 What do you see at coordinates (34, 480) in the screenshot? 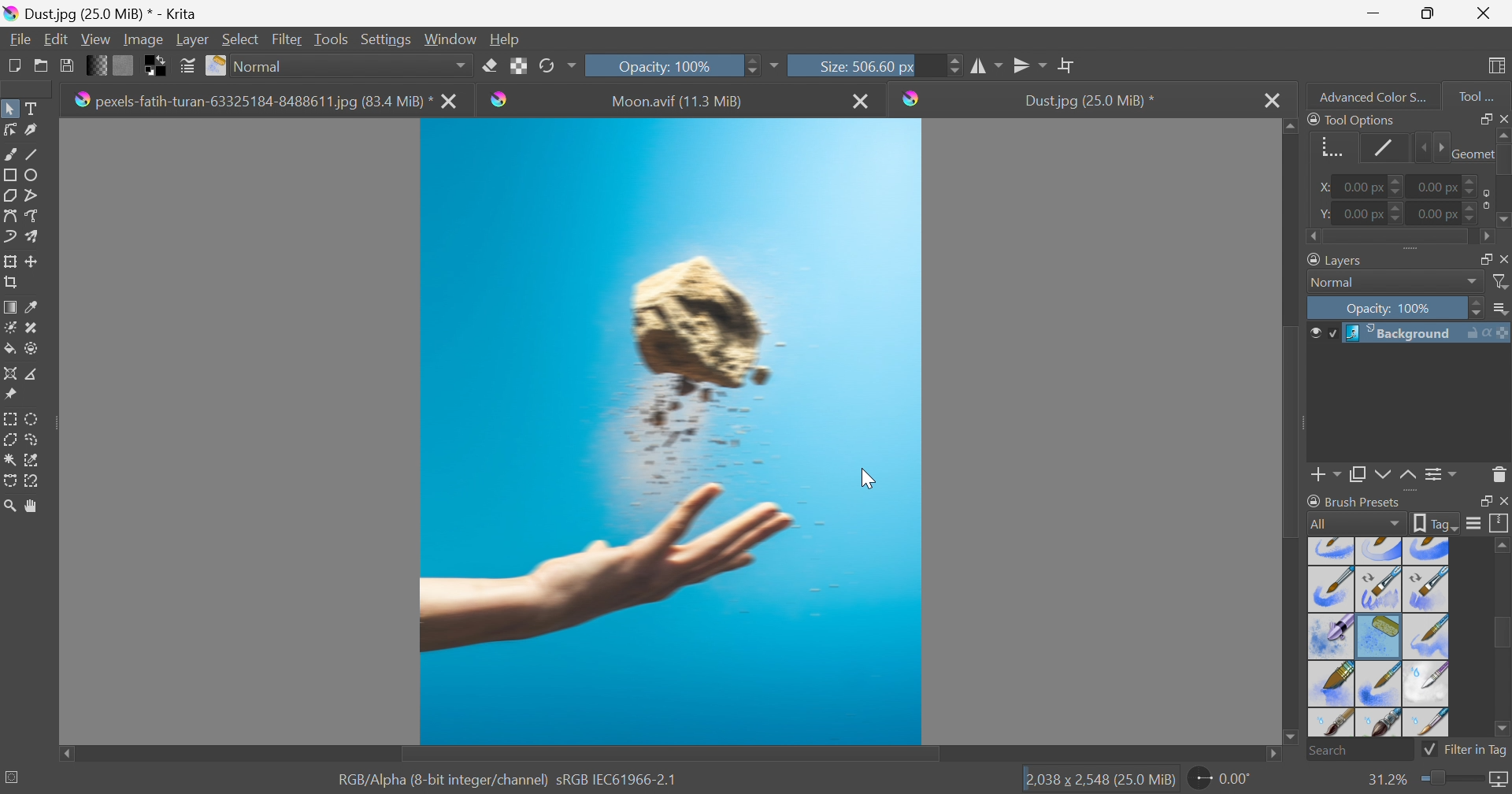
I see `Magnetic Curve selection tool` at bounding box center [34, 480].